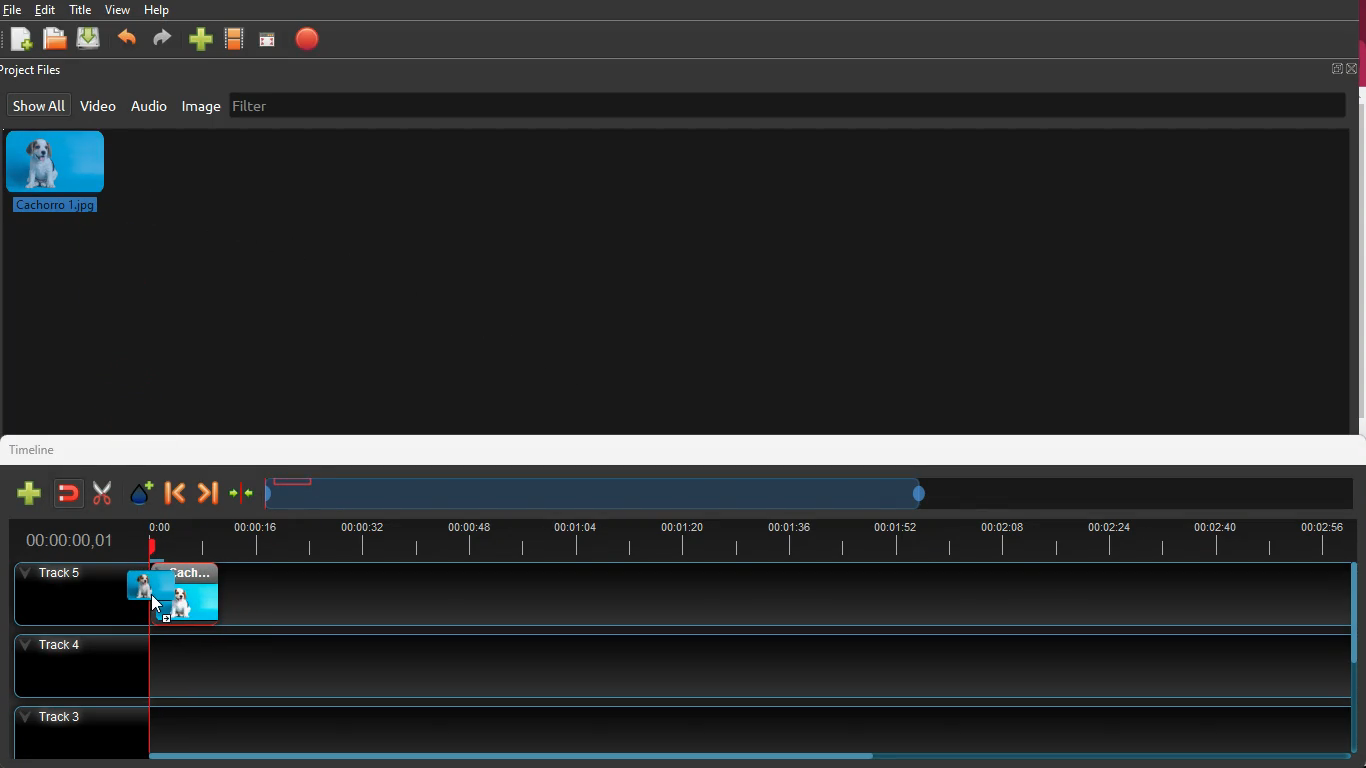 This screenshot has width=1366, height=768. What do you see at coordinates (118, 9) in the screenshot?
I see `view` at bounding box center [118, 9].